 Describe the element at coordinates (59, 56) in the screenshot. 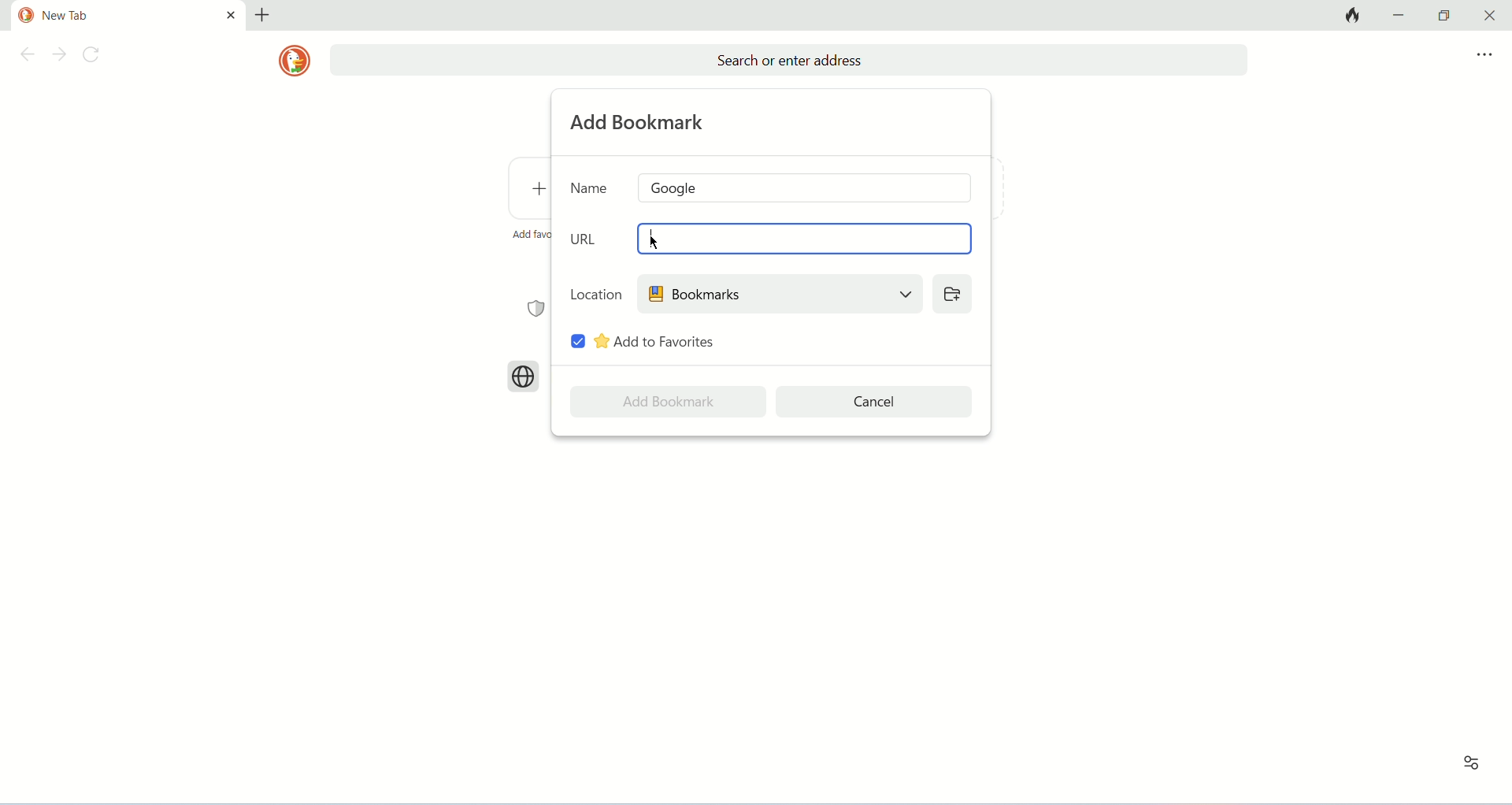

I see `go forward` at that location.